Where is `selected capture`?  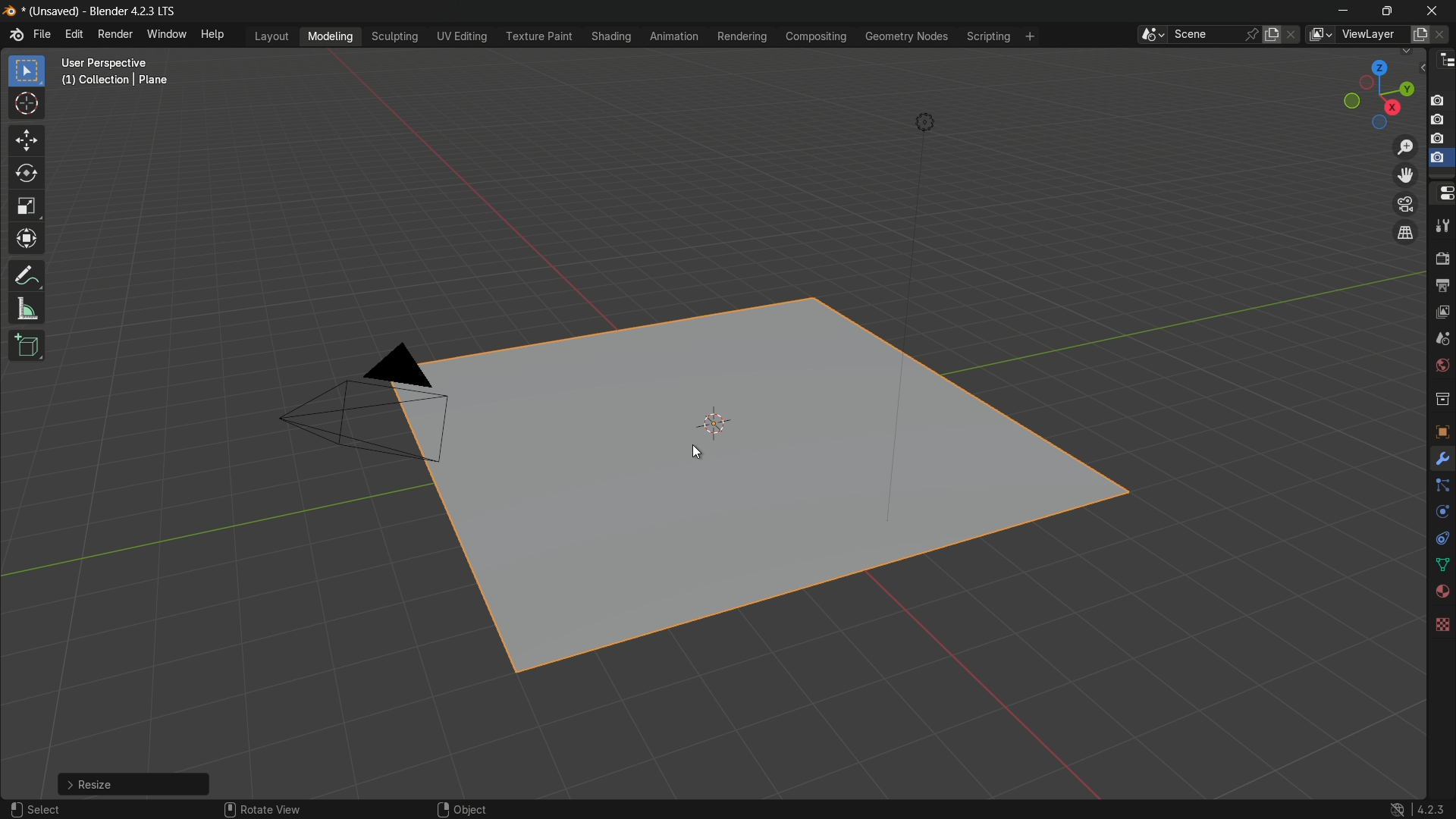
selected capture is located at coordinates (1439, 160).